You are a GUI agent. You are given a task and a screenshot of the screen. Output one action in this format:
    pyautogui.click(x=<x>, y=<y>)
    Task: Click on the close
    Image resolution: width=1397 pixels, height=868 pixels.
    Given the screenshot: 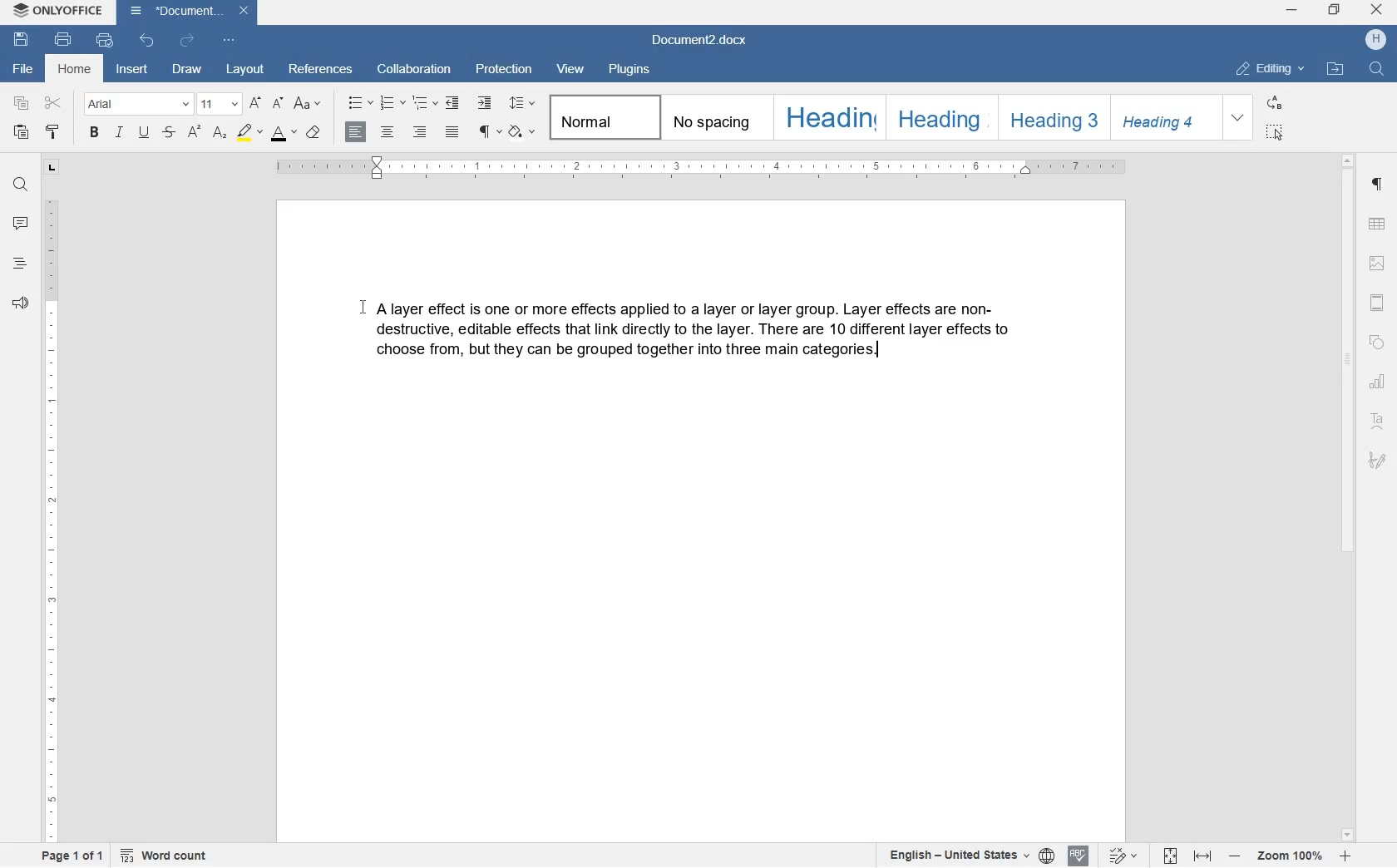 What is the action you would take?
    pyautogui.click(x=1378, y=11)
    